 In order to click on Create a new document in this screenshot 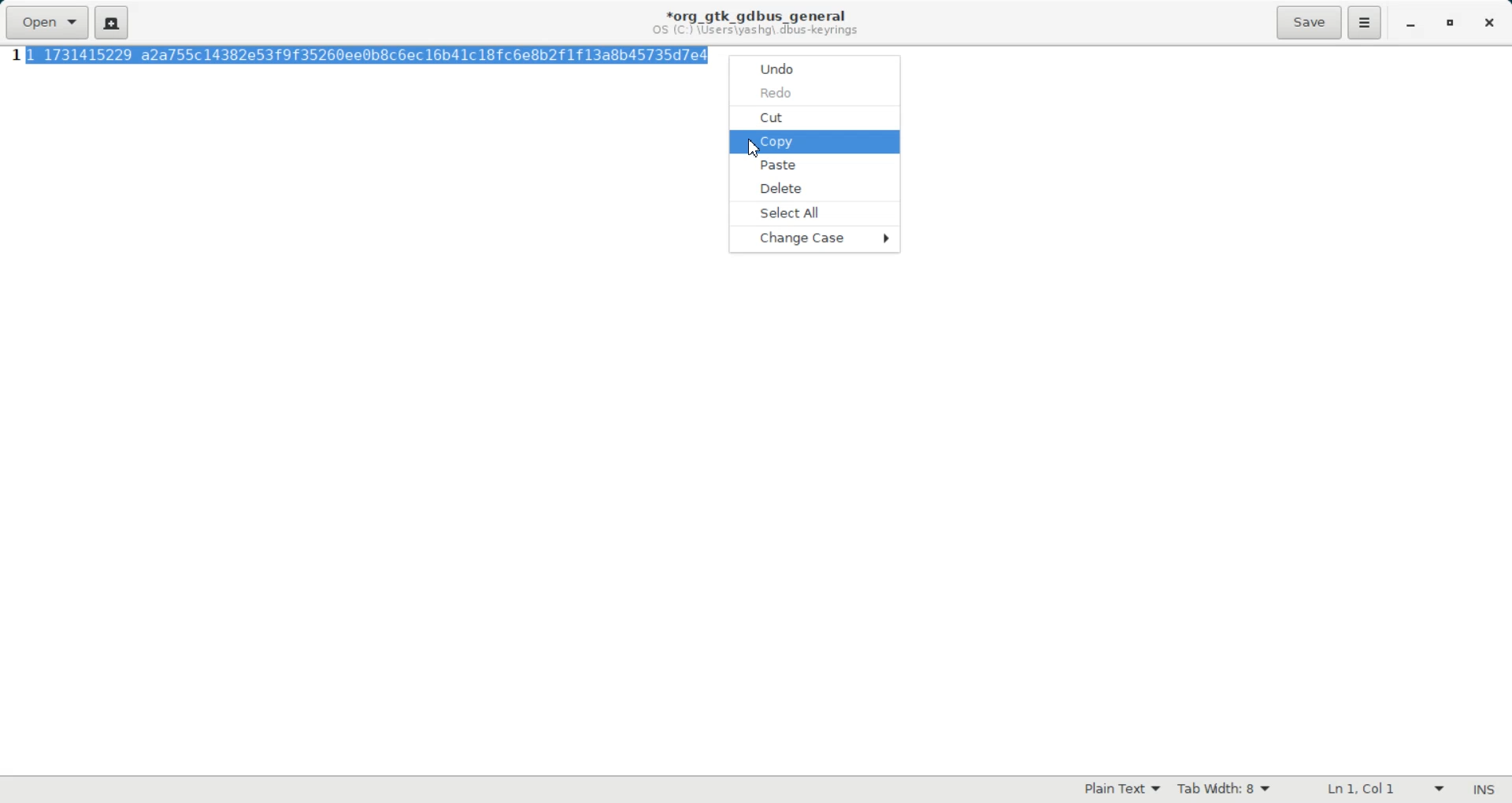, I will do `click(112, 22)`.